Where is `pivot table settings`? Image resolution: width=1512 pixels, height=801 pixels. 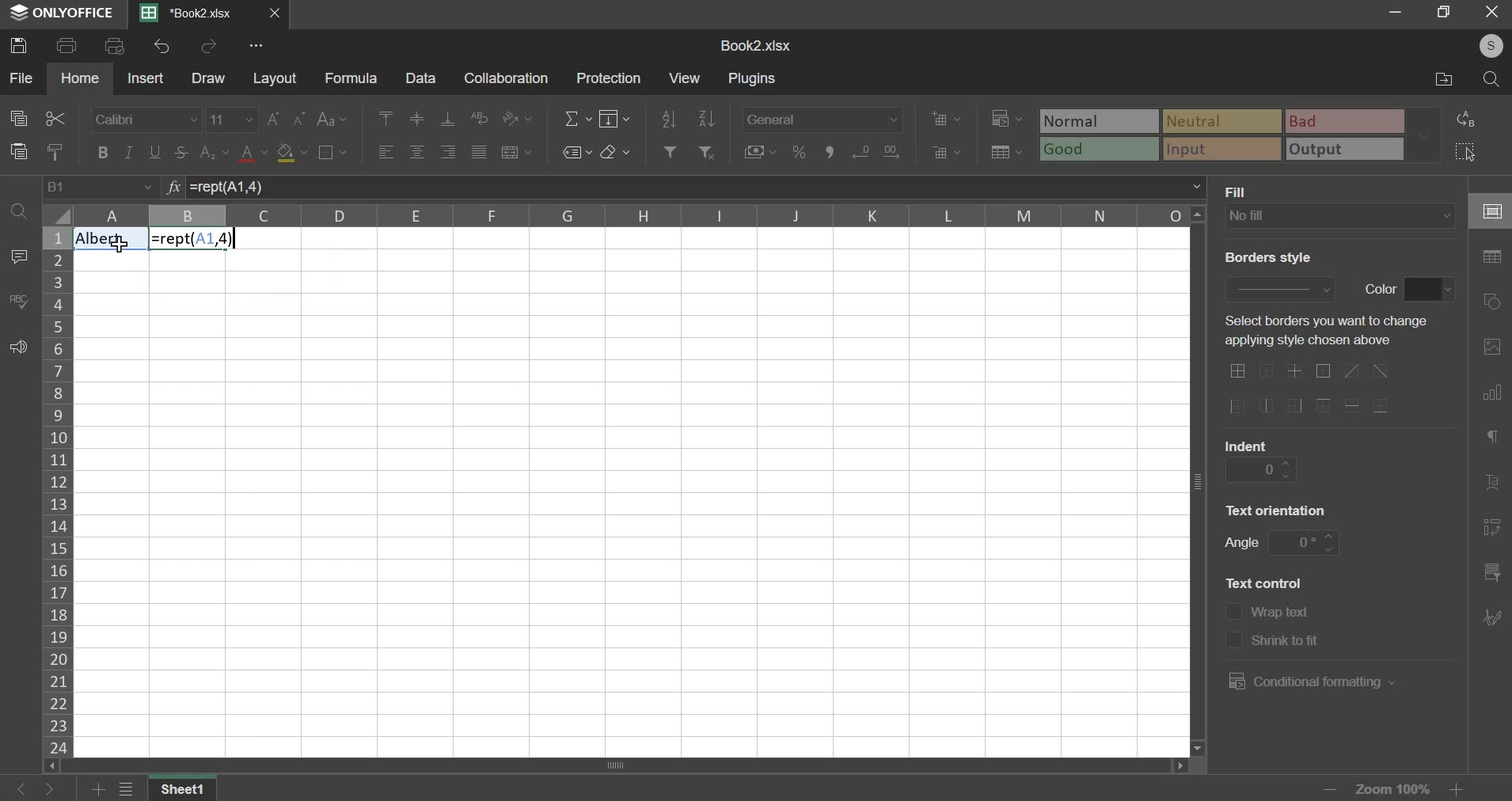 pivot table settings is located at coordinates (1492, 529).